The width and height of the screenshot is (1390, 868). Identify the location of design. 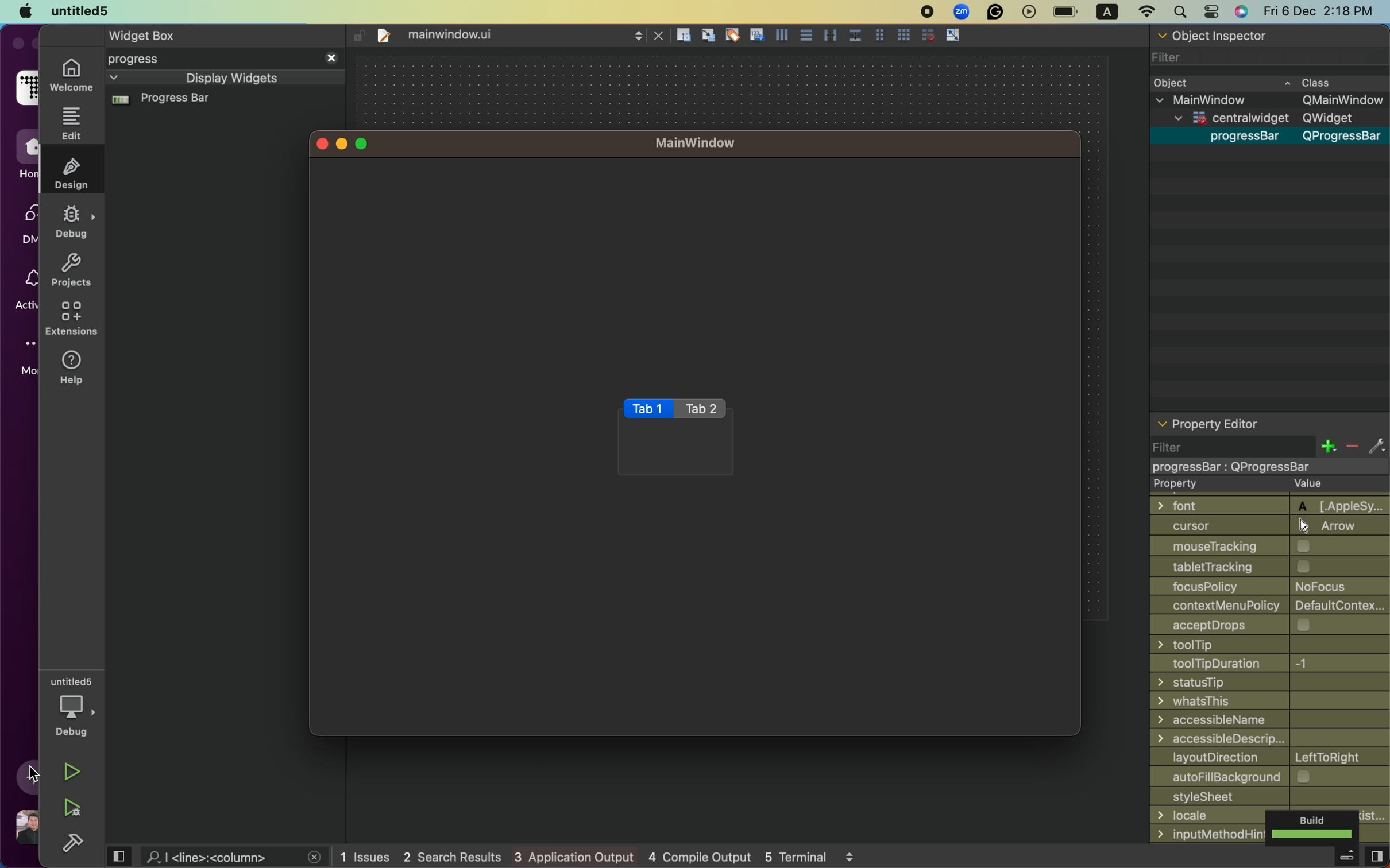
(72, 172).